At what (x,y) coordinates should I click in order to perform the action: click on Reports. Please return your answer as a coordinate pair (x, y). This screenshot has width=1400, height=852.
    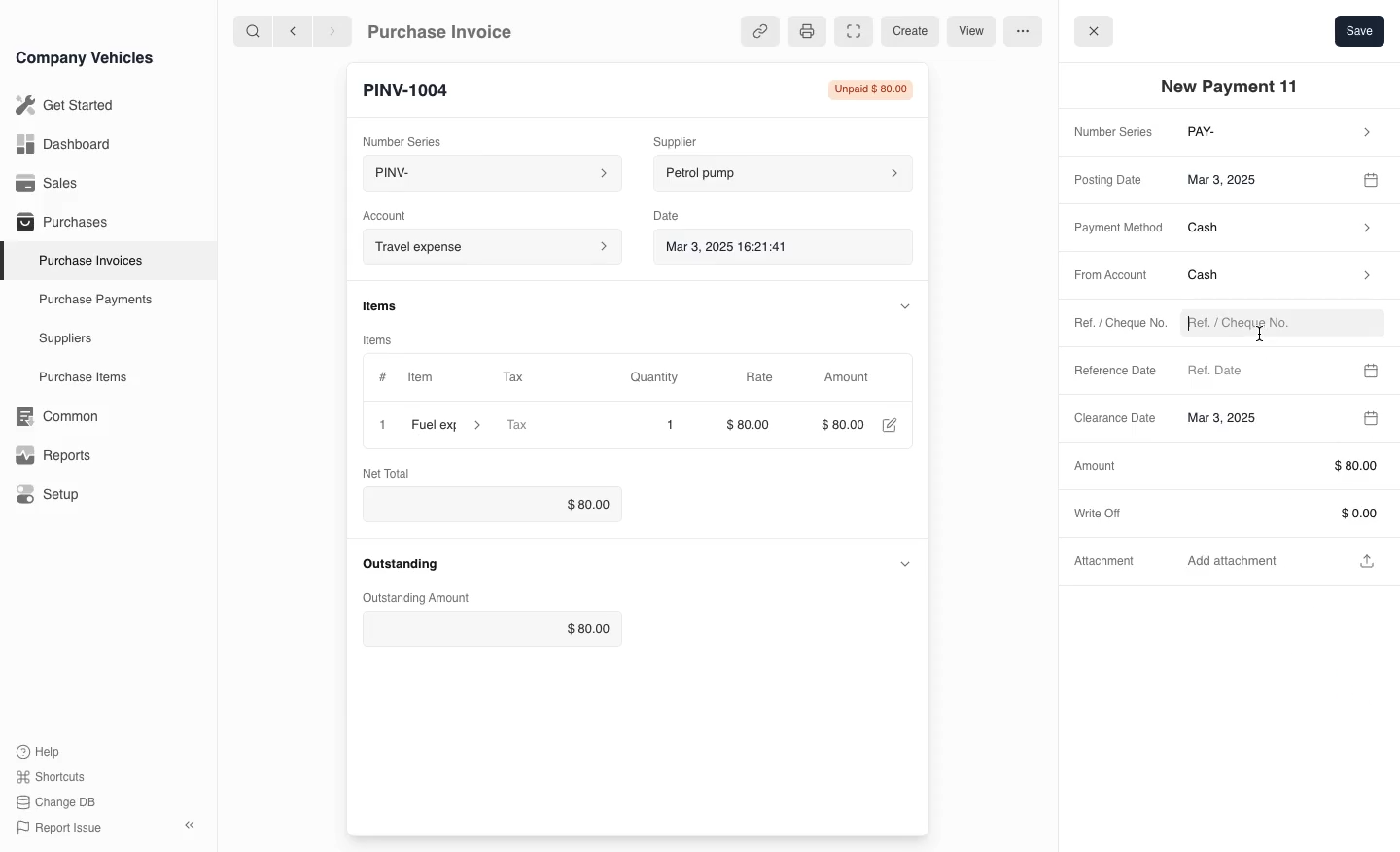
    Looking at the image, I should click on (53, 455).